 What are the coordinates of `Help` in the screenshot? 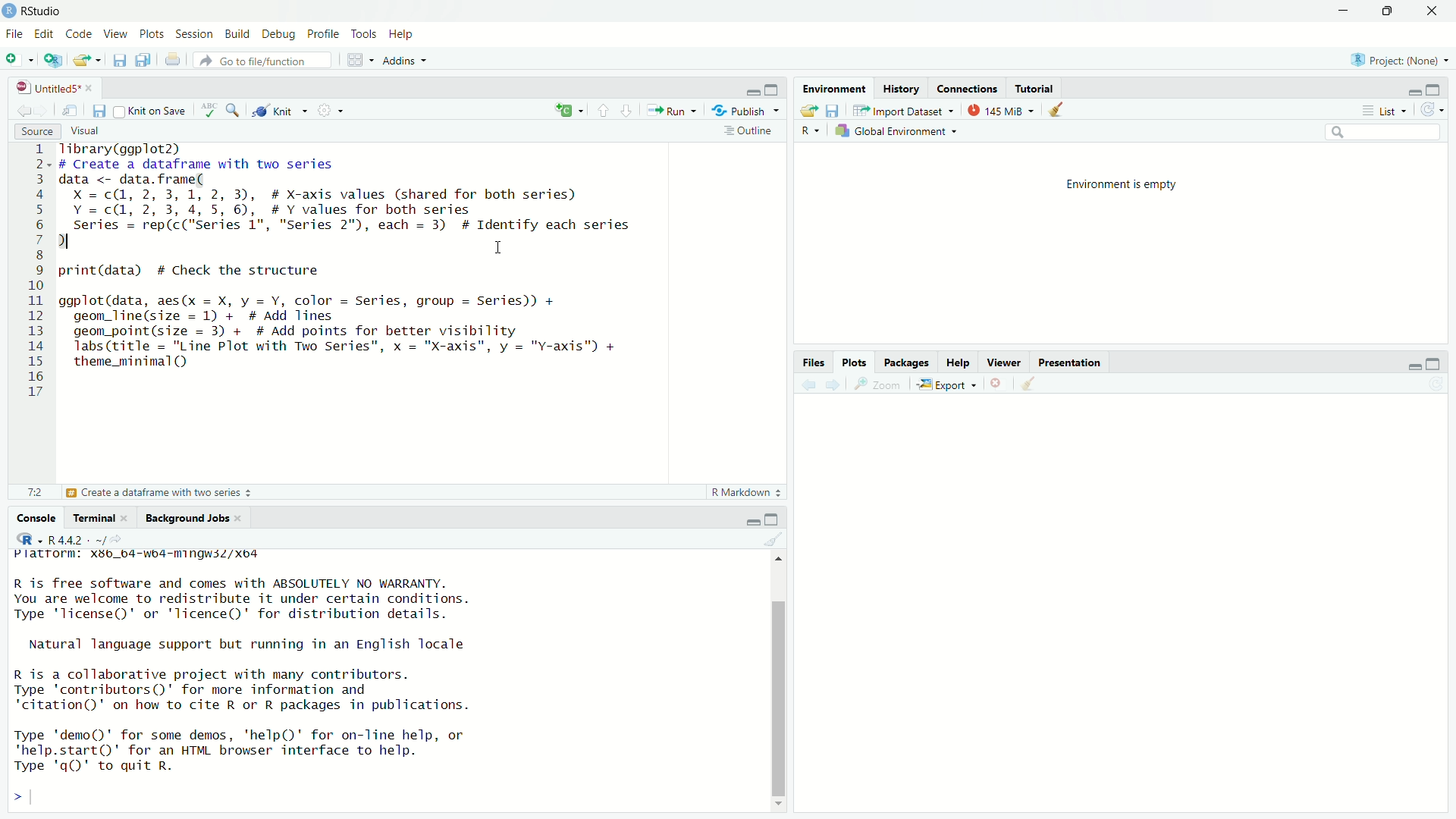 It's located at (404, 35).